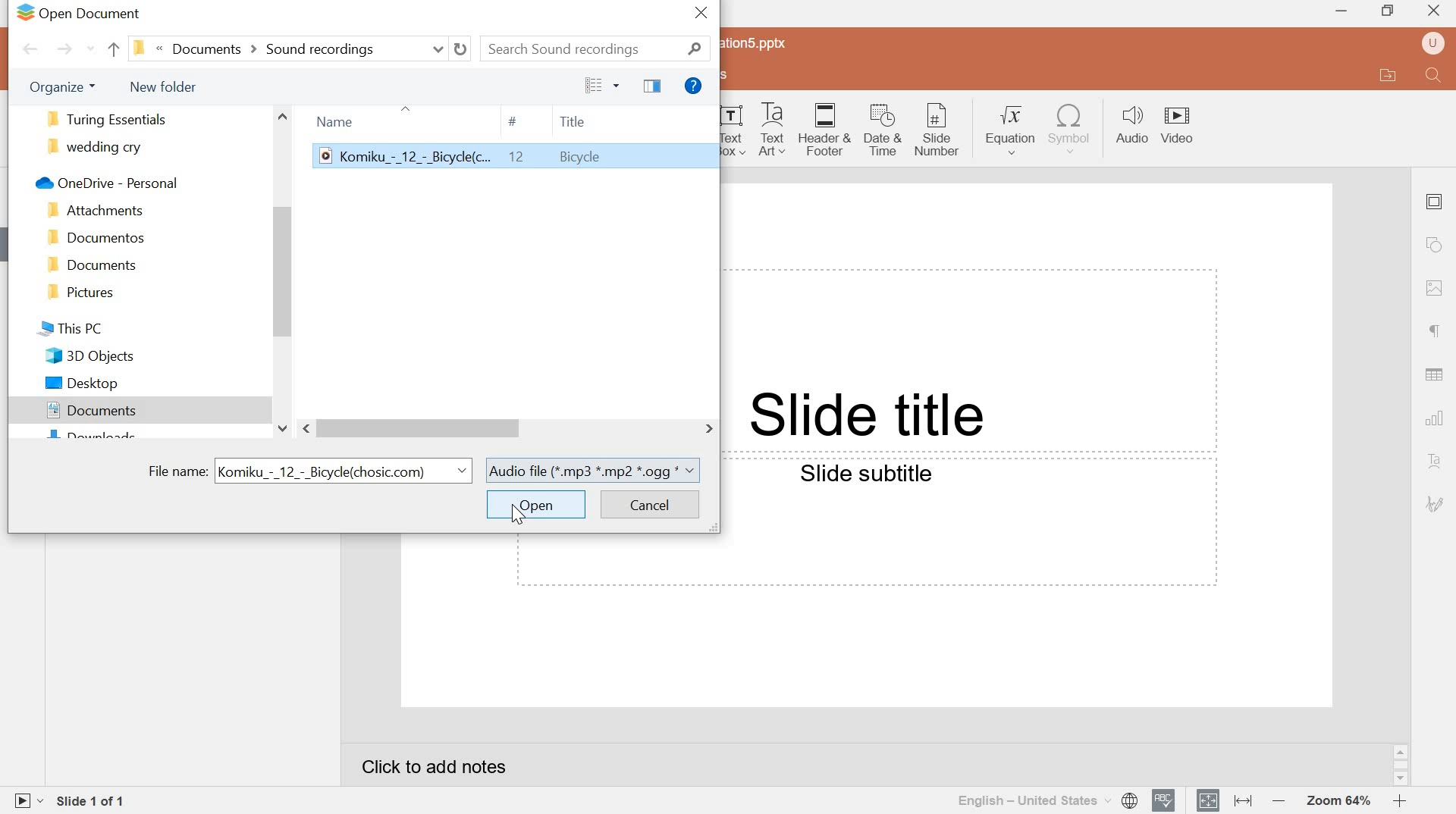  What do you see at coordinates (330, 471) in the screenshot?
I see `file name` at bounding box center [330, 471].